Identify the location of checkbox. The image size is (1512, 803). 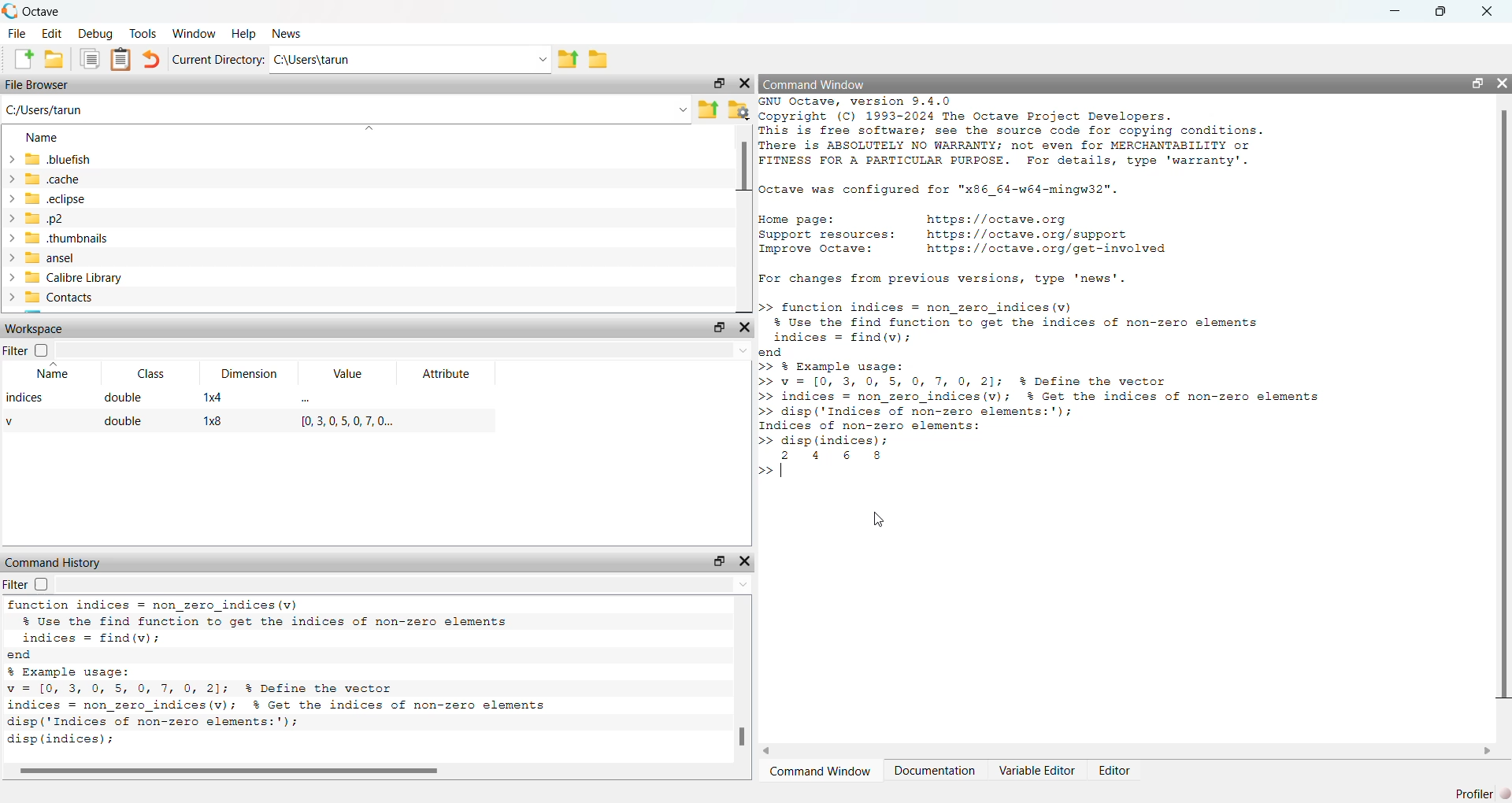
(43, 351).